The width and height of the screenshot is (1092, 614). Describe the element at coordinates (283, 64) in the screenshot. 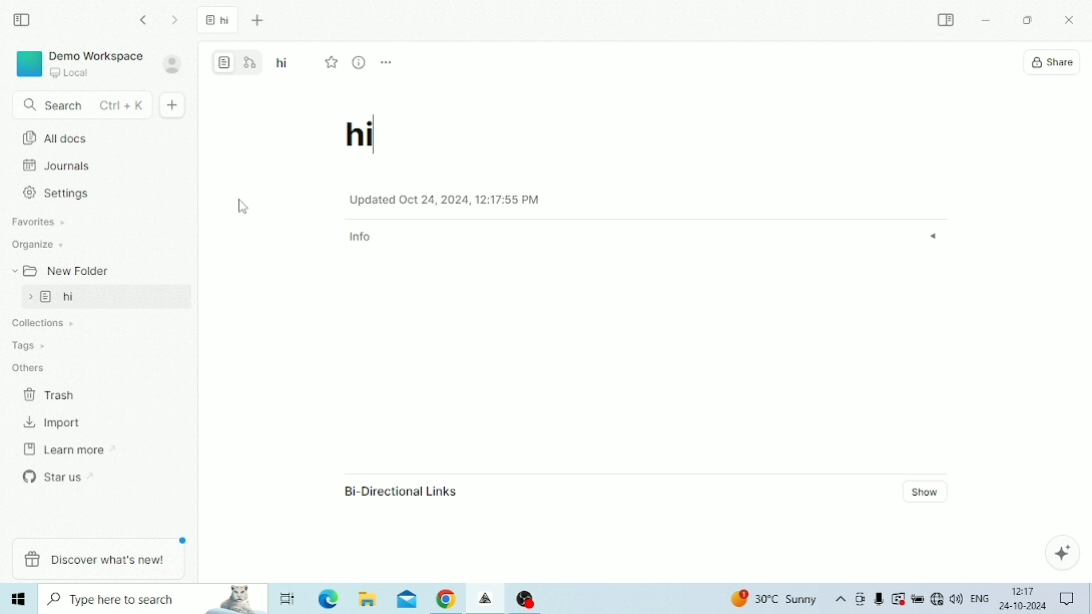

I see `hi` at that location.